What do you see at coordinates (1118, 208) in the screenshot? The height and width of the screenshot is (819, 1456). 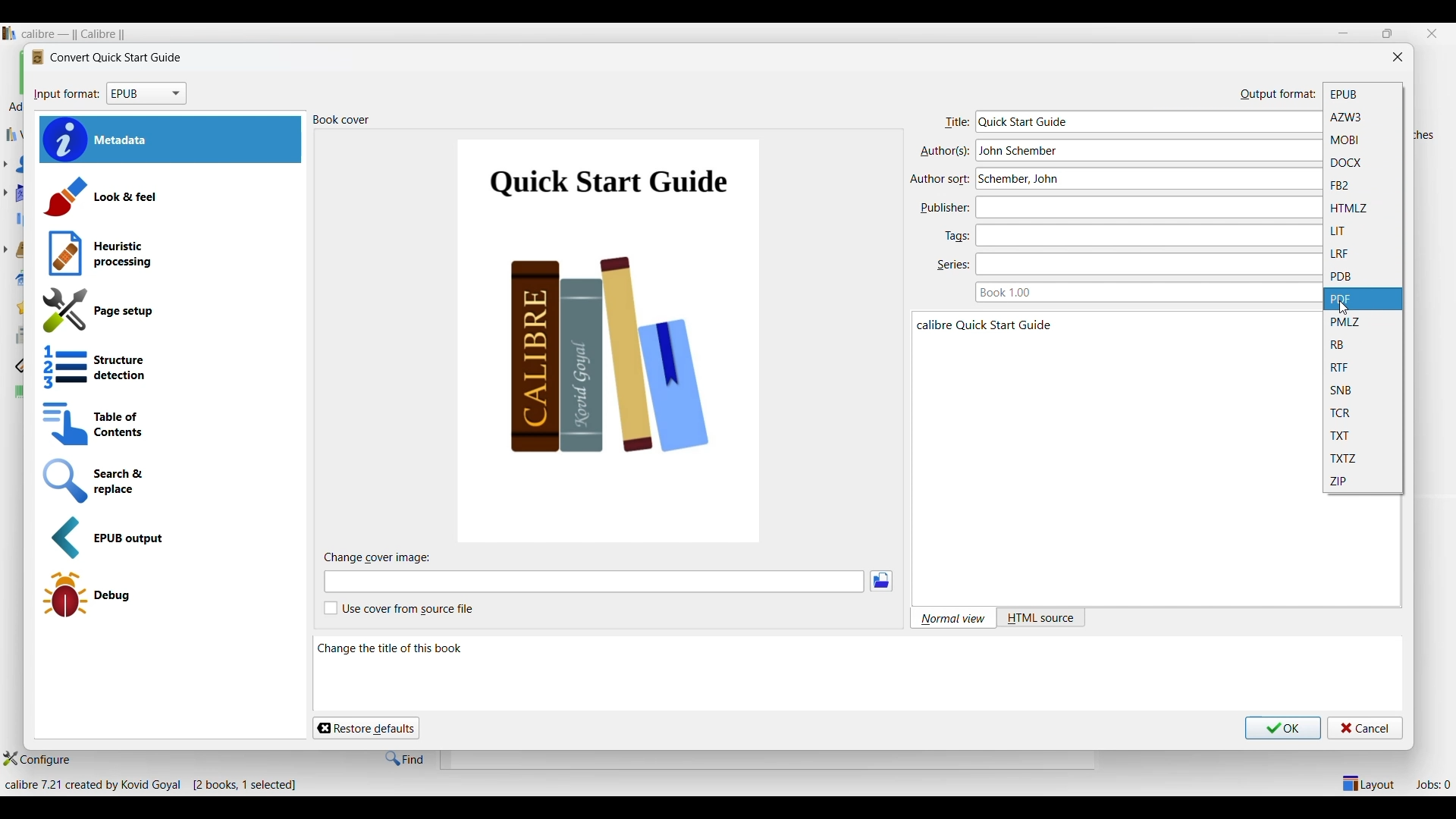 I see `Type in publisher` at bounding box center [1118, 208].